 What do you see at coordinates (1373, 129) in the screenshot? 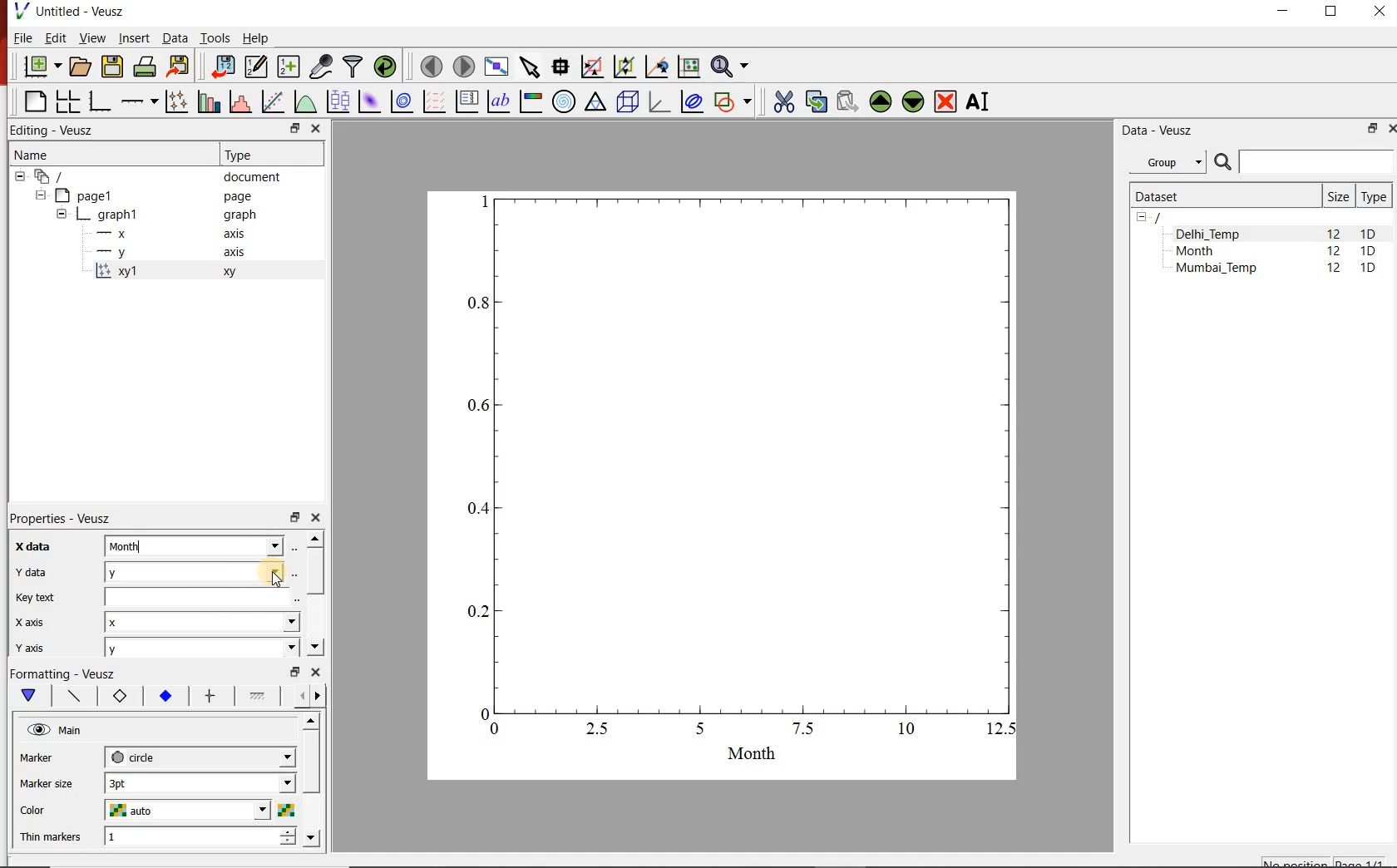
I see `RESTORE` at bounding box center [1373, 129].